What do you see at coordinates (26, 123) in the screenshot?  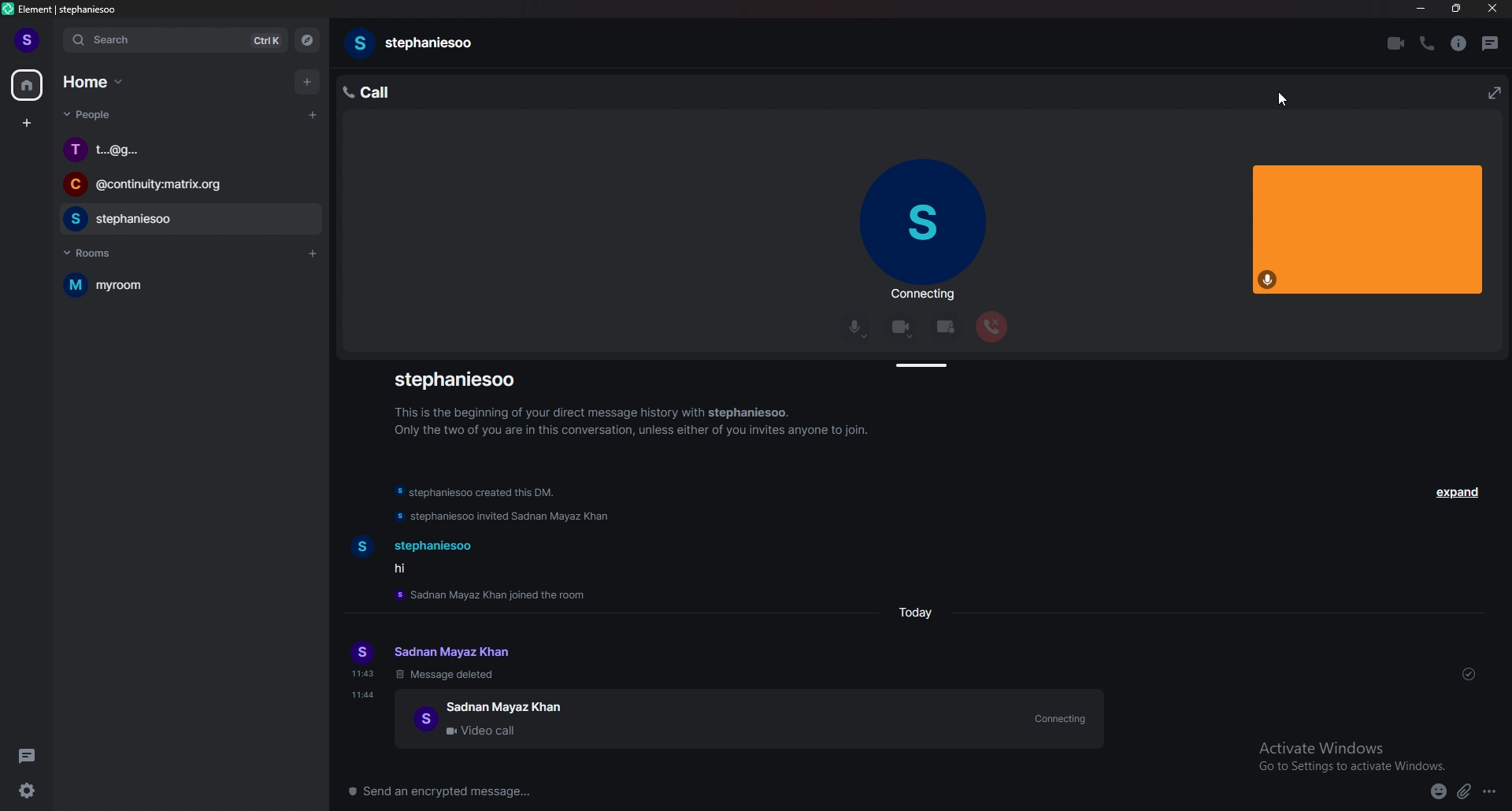 I see `create space` at bounding box center [26, 123].